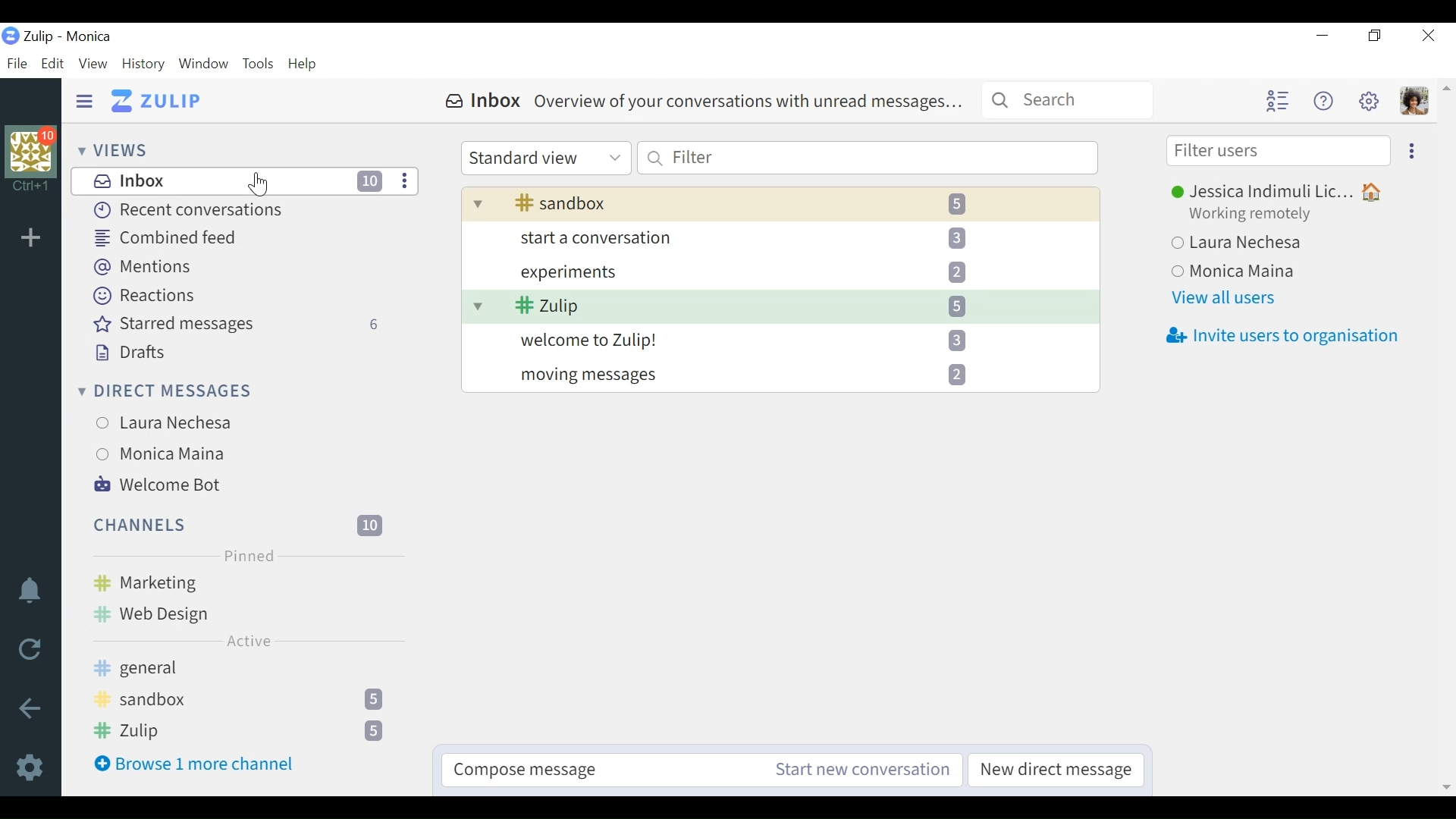 This screenshot has width=1456, height=819. What do you see at coordinates (259, 64) in the screenshot?
I see `Tools` at bounding box center [259, 64].